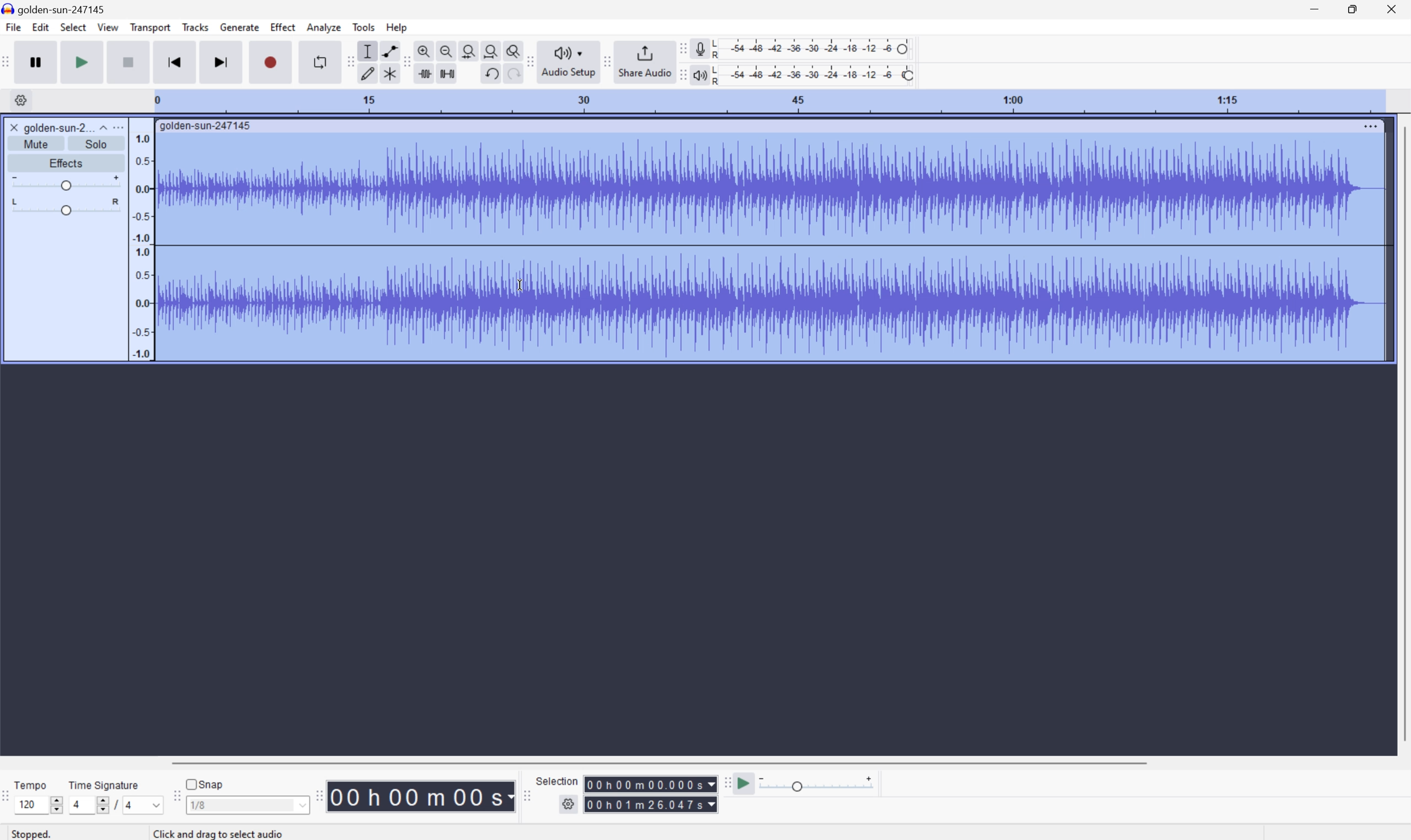 Image resolution: width=1411 pixels, height=840 pixels. Describe the element at coordinates (319, 62) in the screenshot. I see `Enable looping` at that location.